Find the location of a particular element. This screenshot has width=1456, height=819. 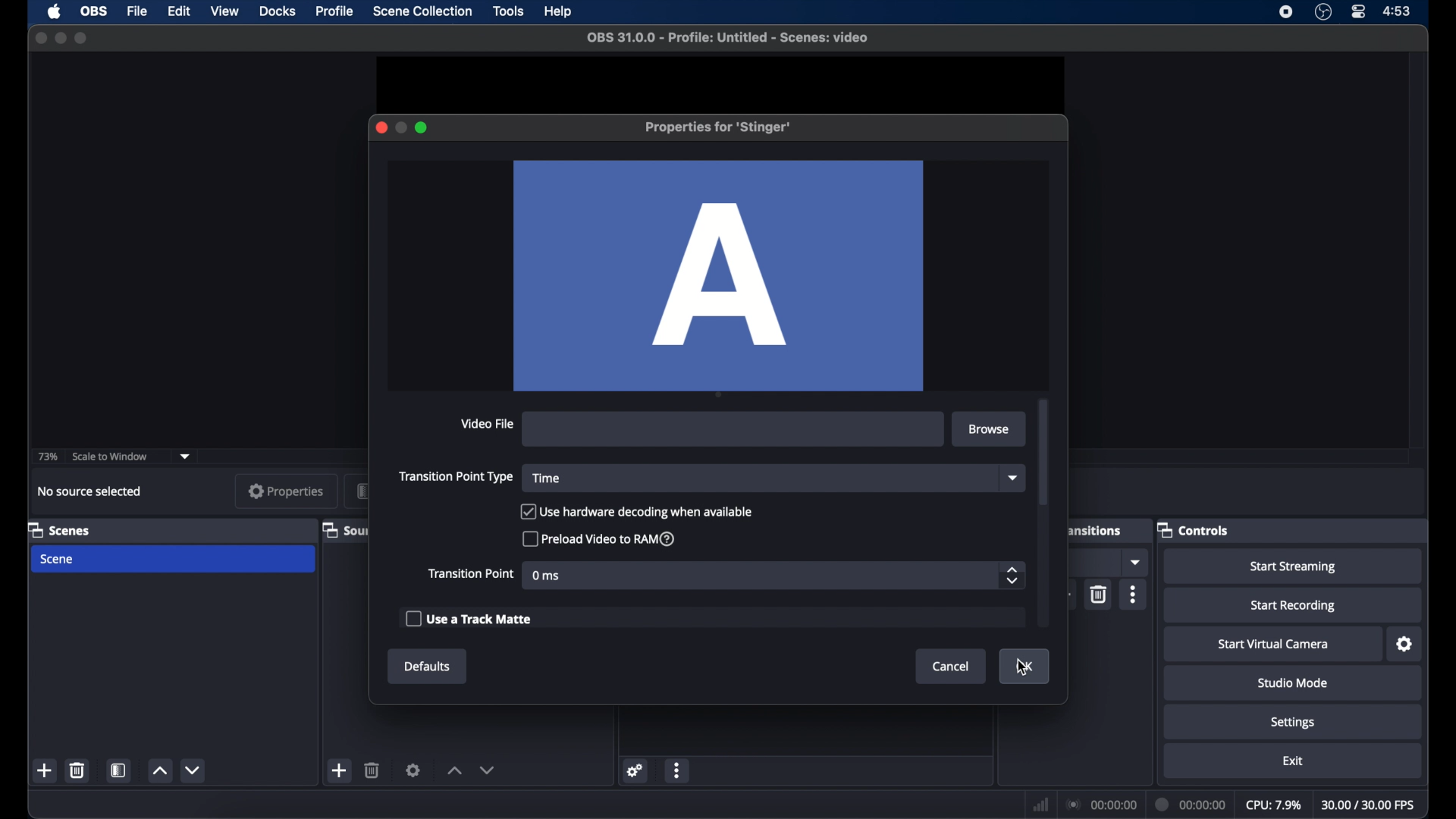

video file is located at coordinates (486, 423).